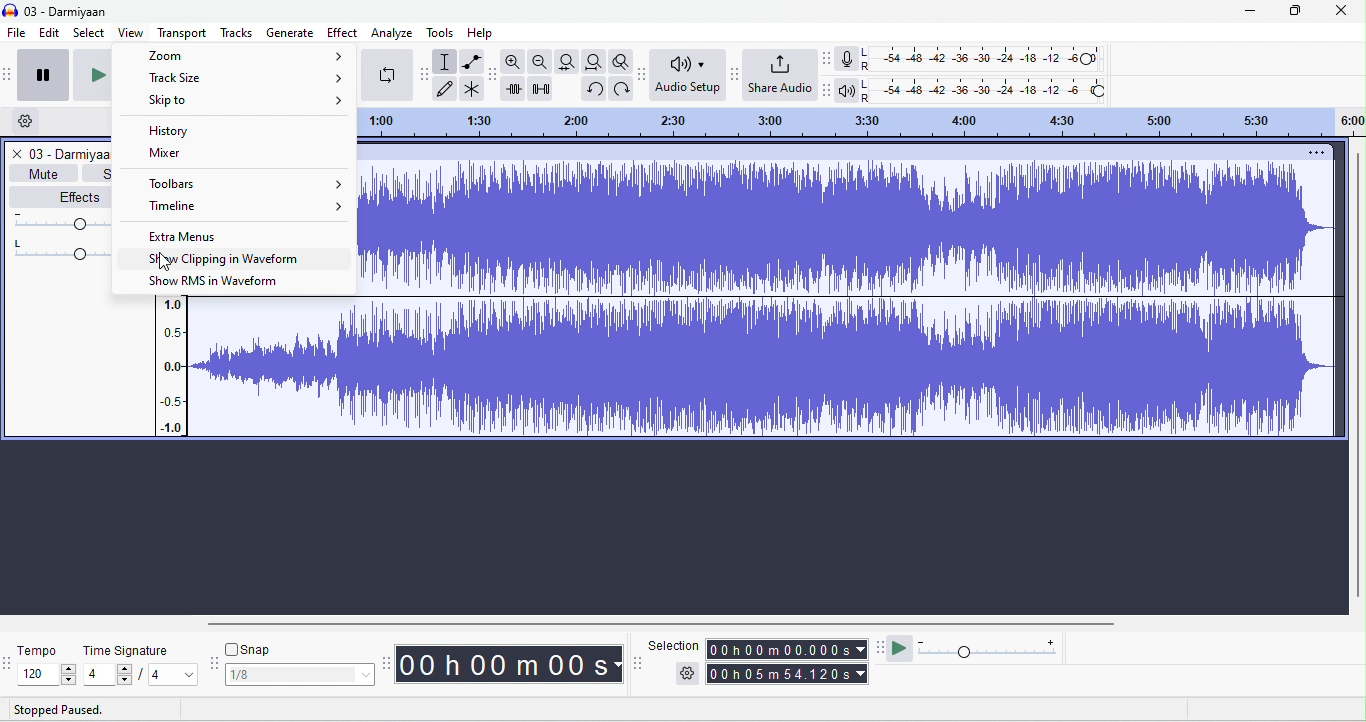  What do you see at coordinates (789, 648) in the screenshot?
I see `selection time` at bounding box center [789, 648].